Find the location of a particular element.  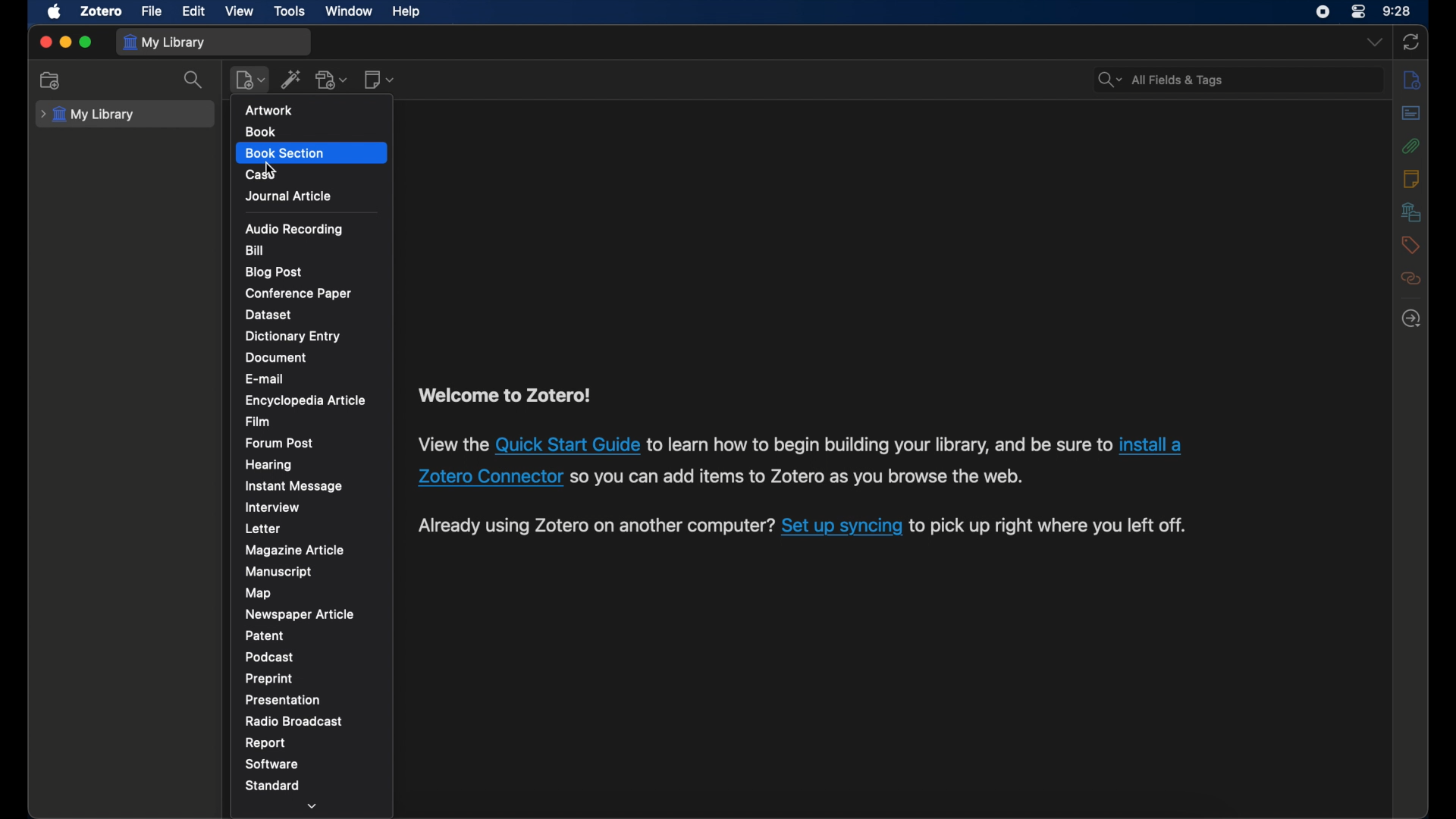

search is located at coordinates (196, 79).